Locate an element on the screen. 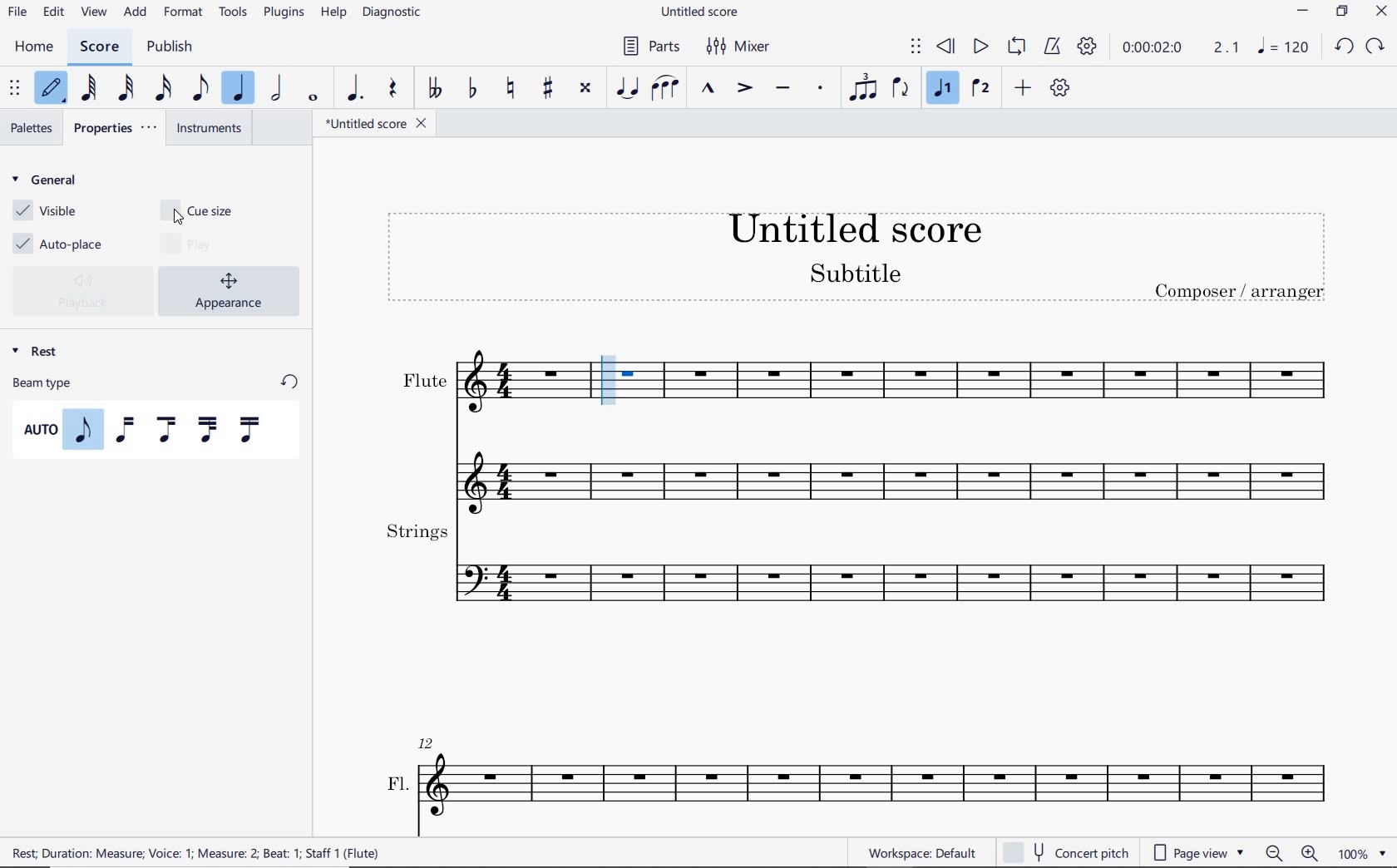  LOOP PLAYBACK is located at coordinates (1019, 48).